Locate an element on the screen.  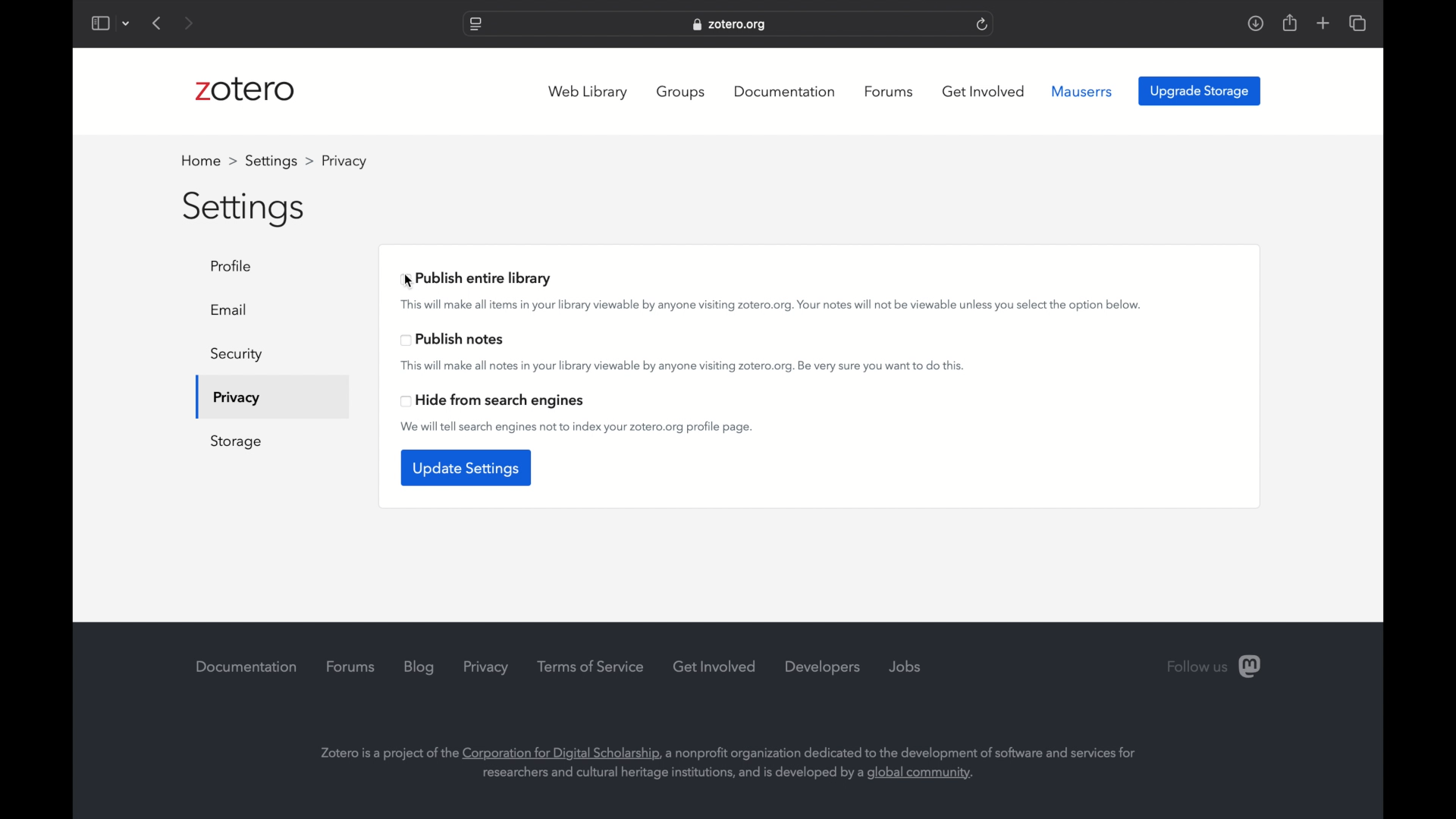
profile is located at coordinates (236, 265).